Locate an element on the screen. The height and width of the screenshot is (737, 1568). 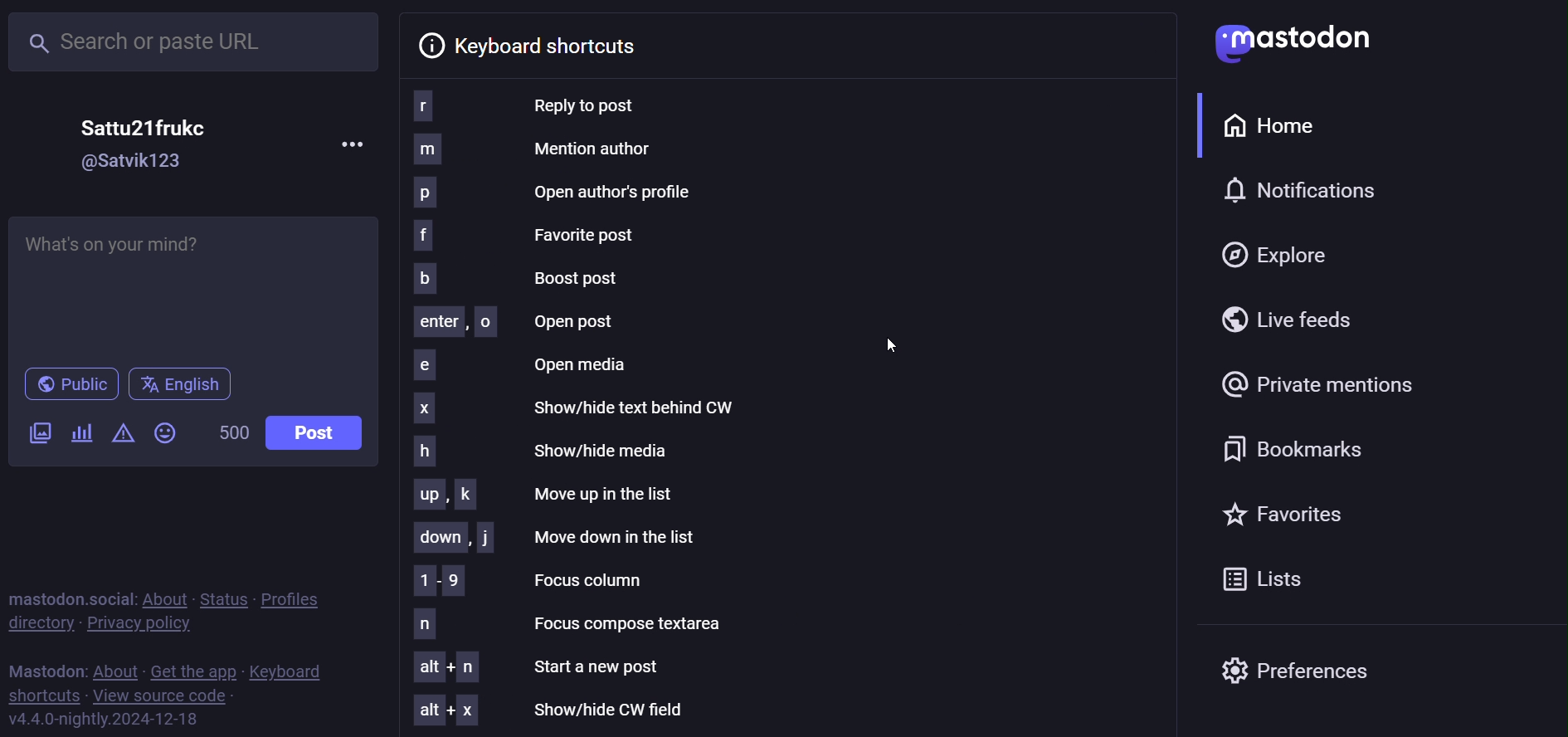
lists is located at coordinates (1266, 581).